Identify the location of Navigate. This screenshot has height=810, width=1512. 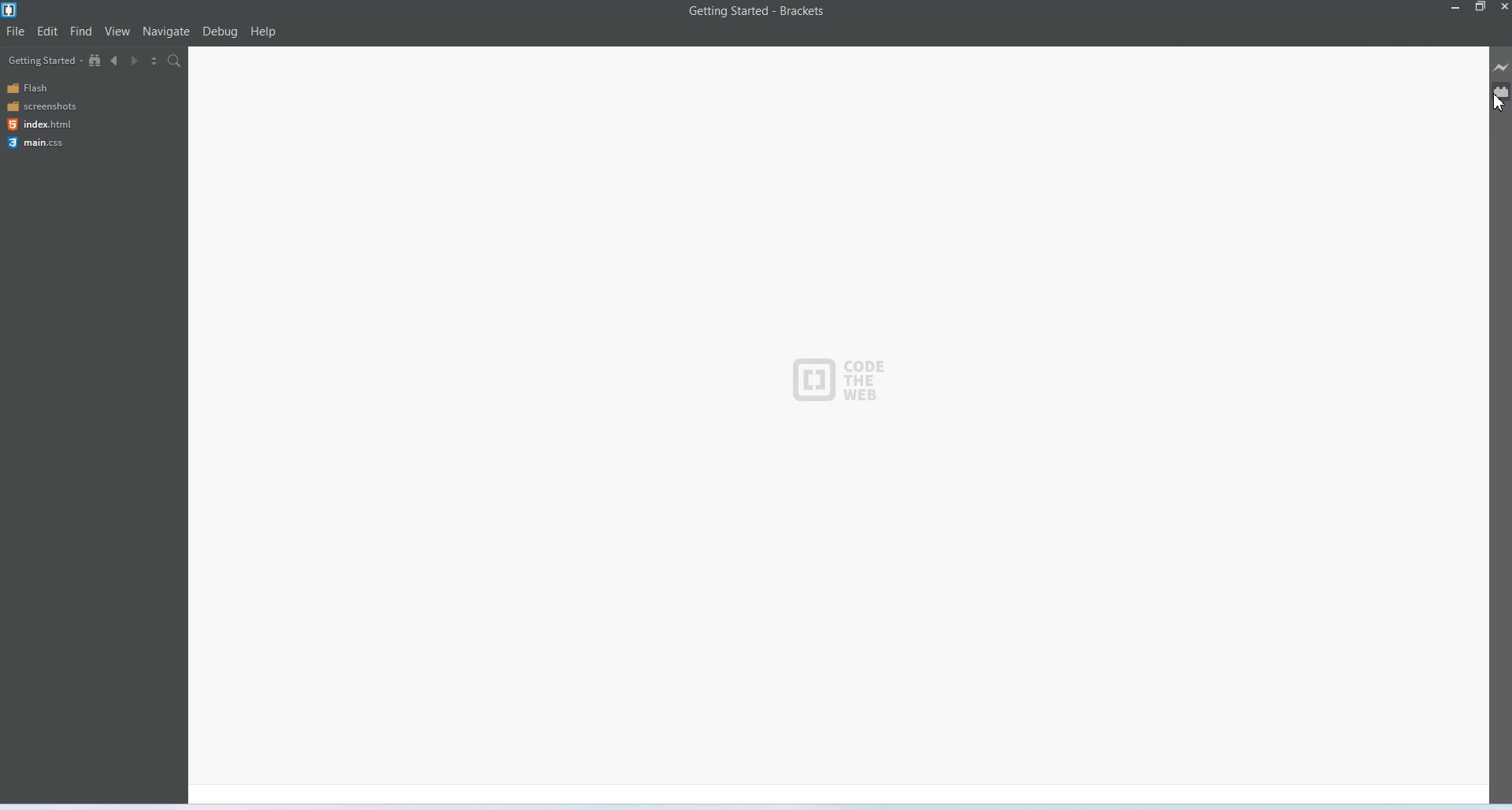
(166, 32).